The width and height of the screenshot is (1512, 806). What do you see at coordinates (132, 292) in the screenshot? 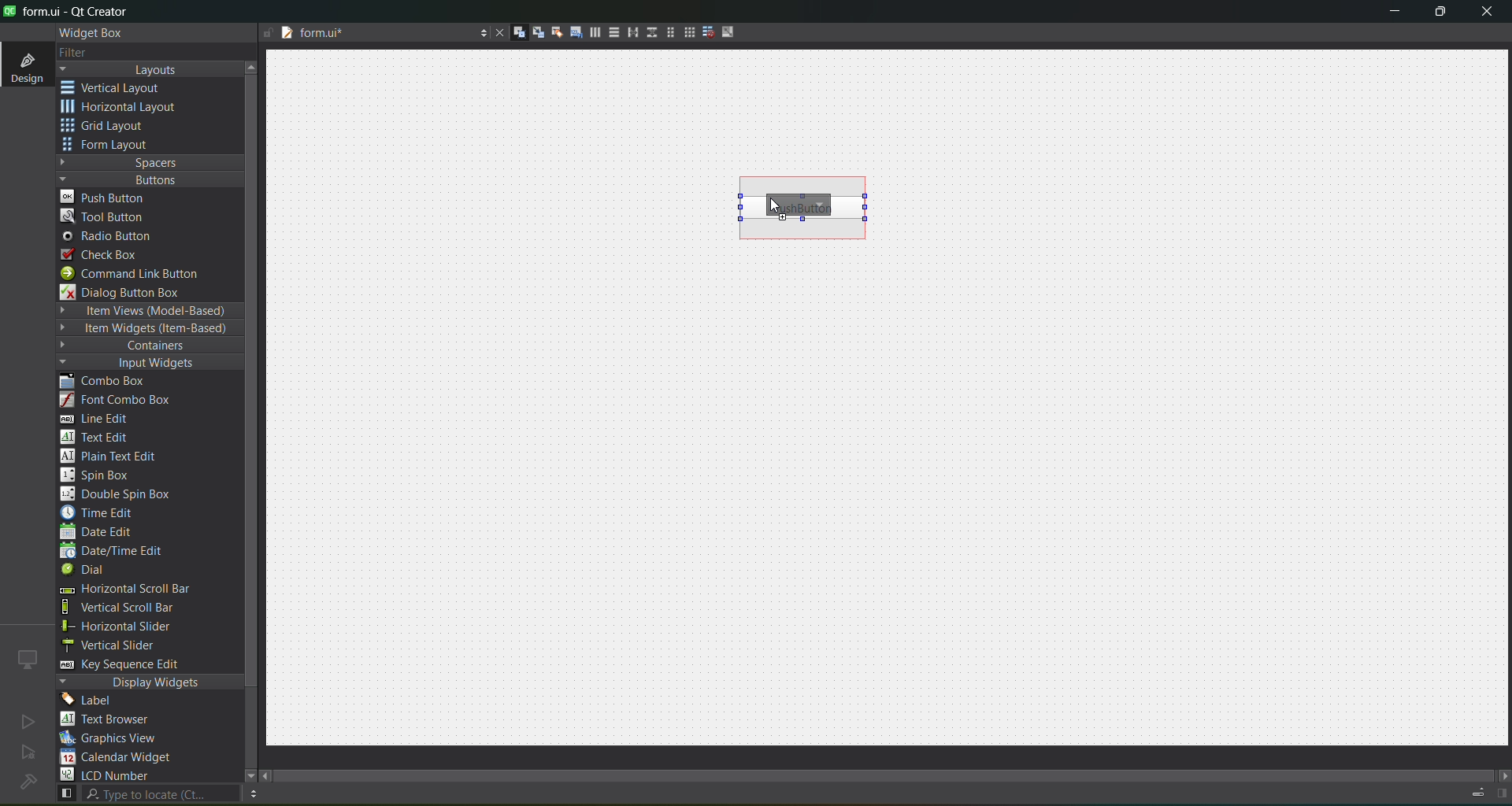
I see `dialog box` at bounding box center [132, 292].